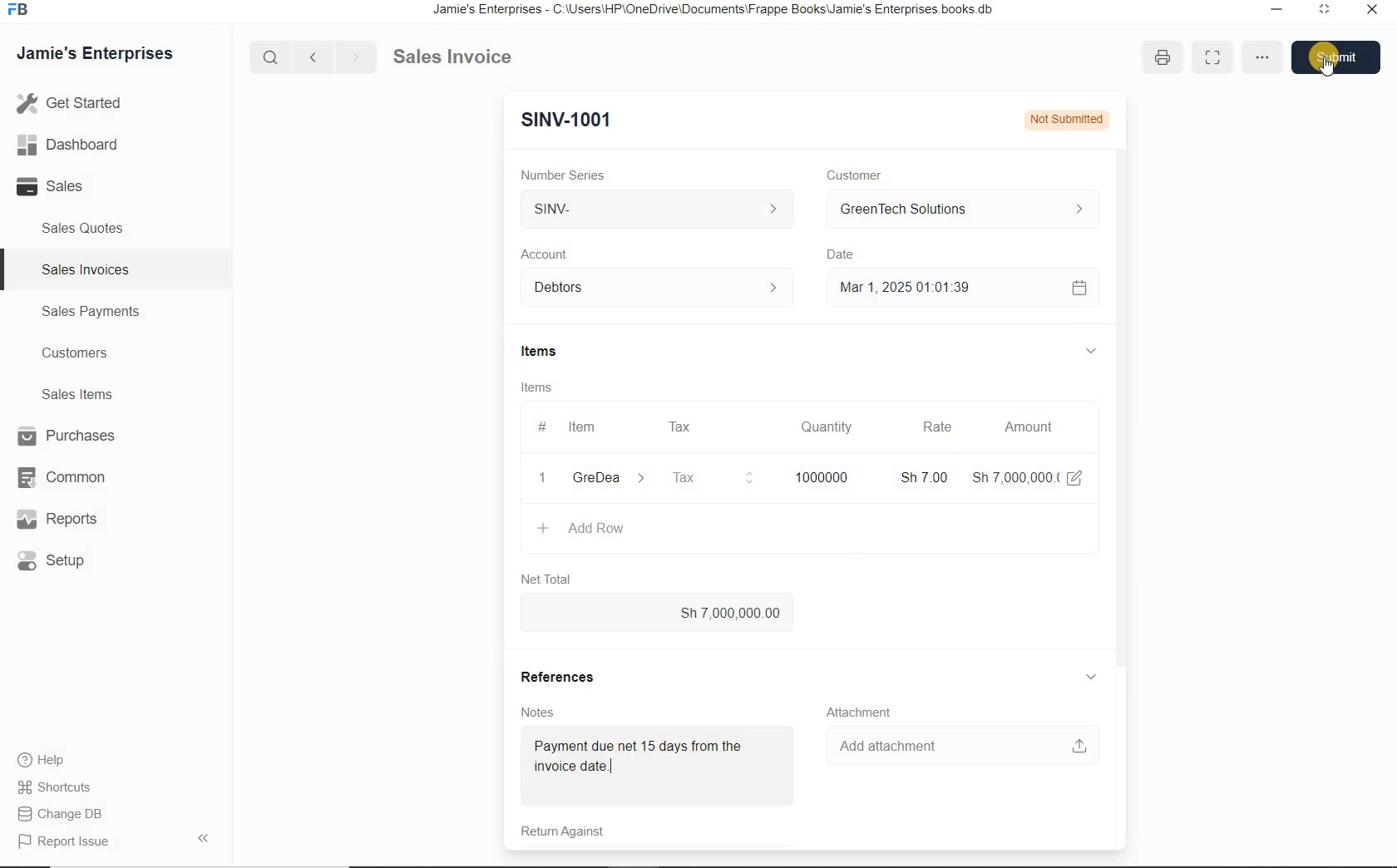  What do you see at coordinates (1075, 476) in the screenshot?
I see `edit` at bounding box center [1075, 476].